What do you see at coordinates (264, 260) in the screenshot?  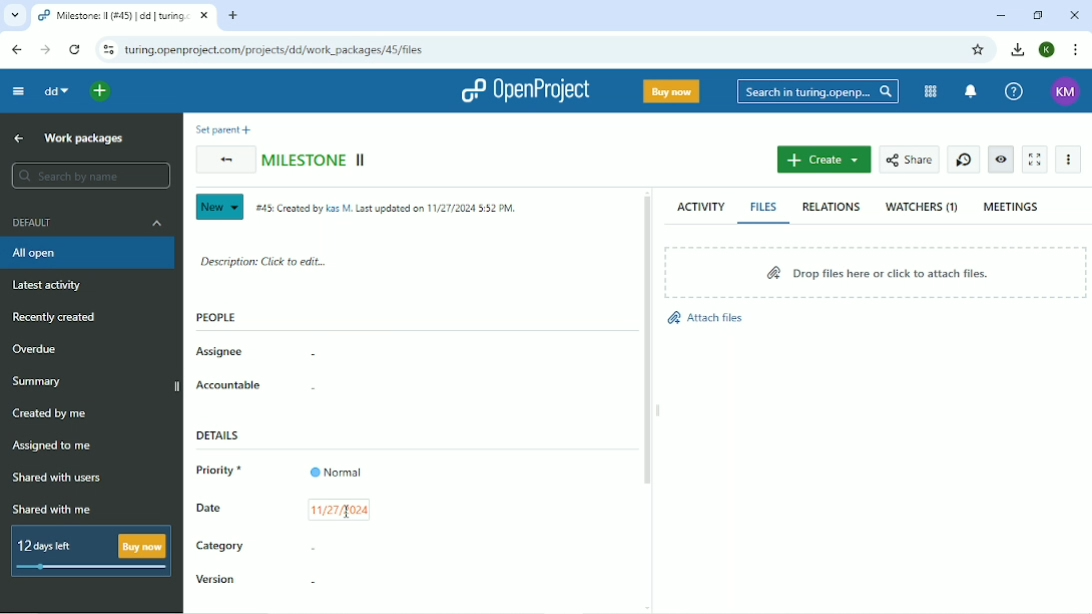 I see `Description: click to edit` at bounding box center [264, 260].